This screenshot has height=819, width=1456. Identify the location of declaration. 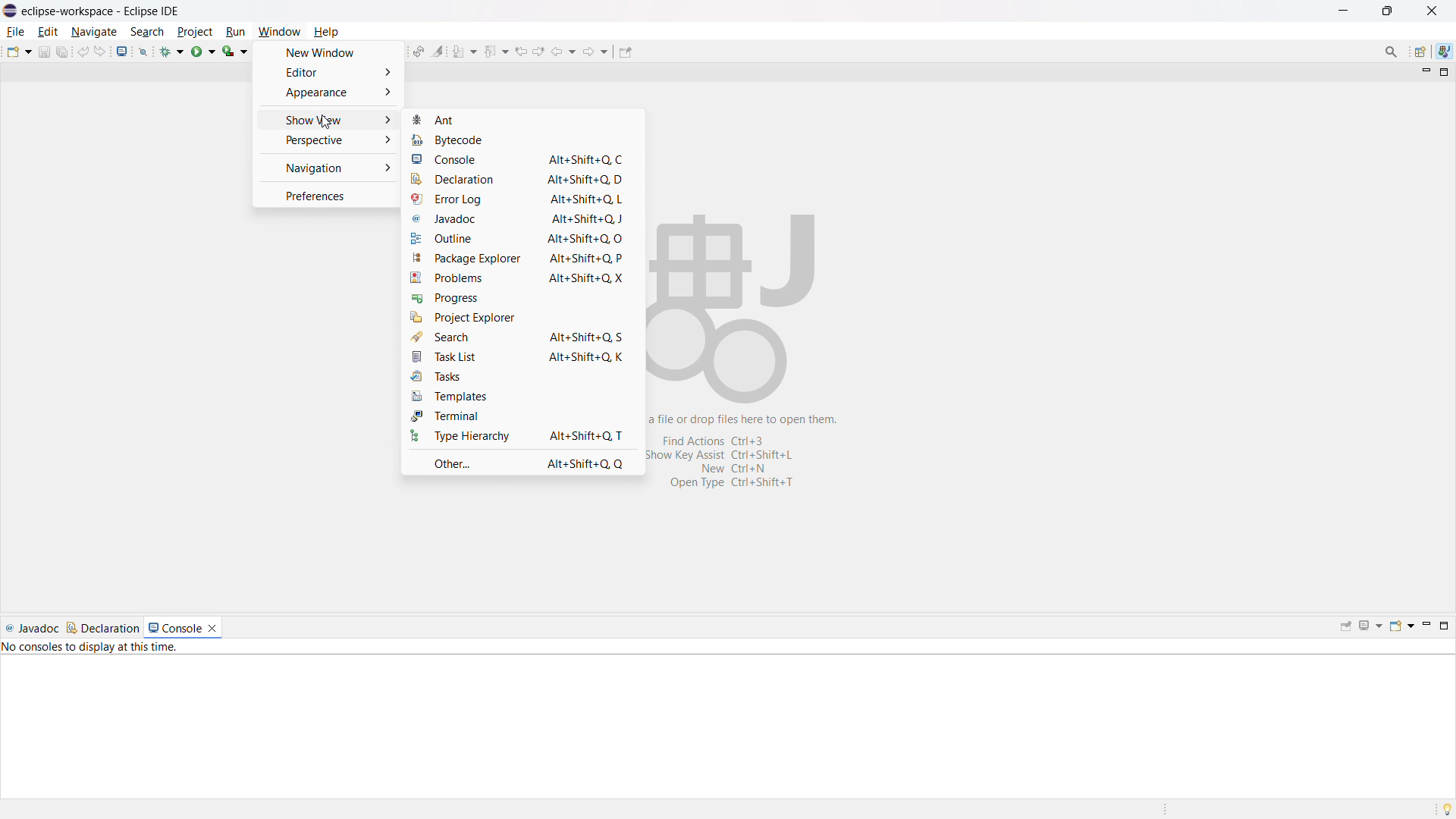
(522, 178).